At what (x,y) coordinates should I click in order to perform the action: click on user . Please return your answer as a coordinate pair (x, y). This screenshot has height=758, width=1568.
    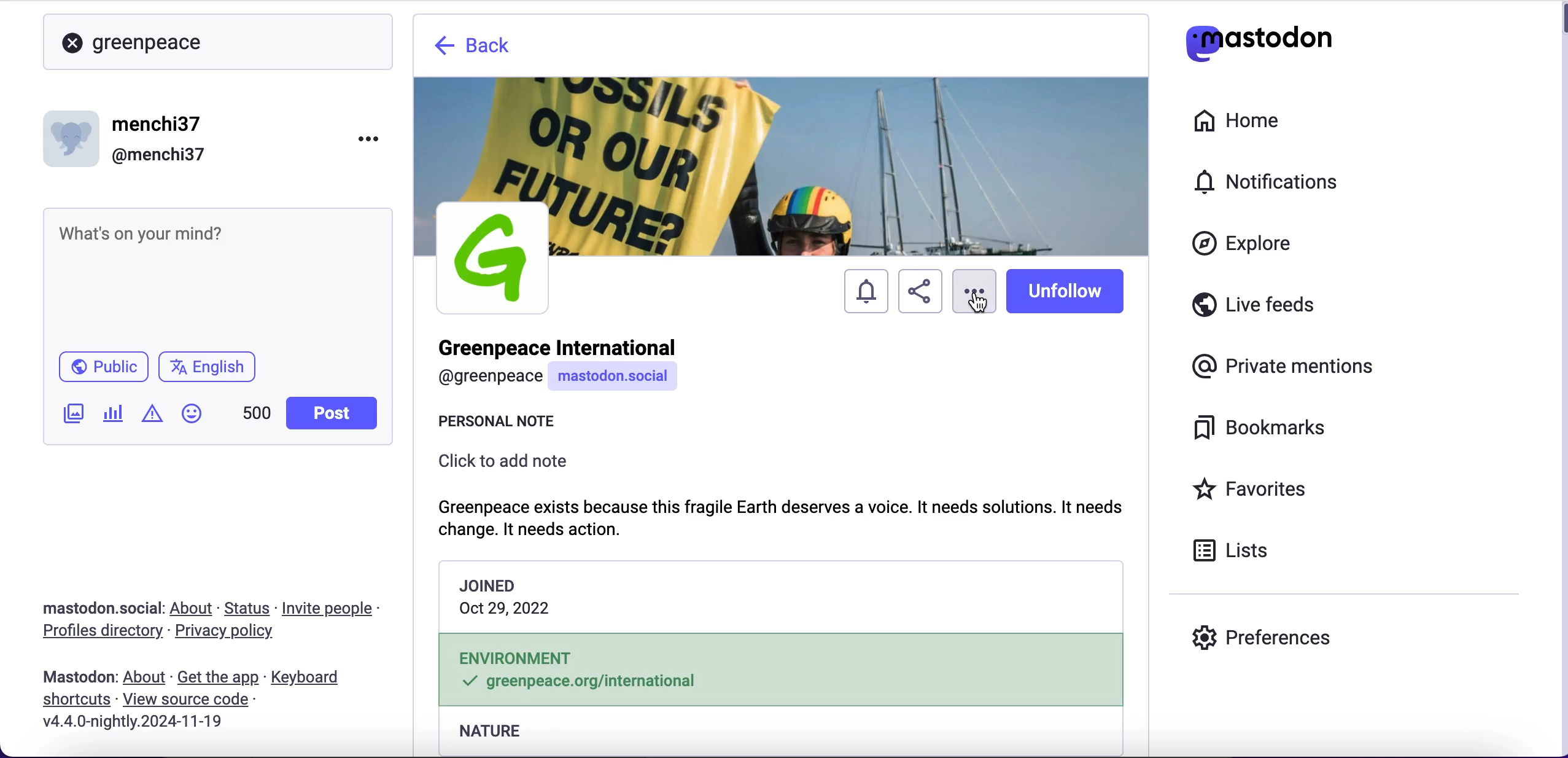
    Looking at the image, I should click on (573, 367).